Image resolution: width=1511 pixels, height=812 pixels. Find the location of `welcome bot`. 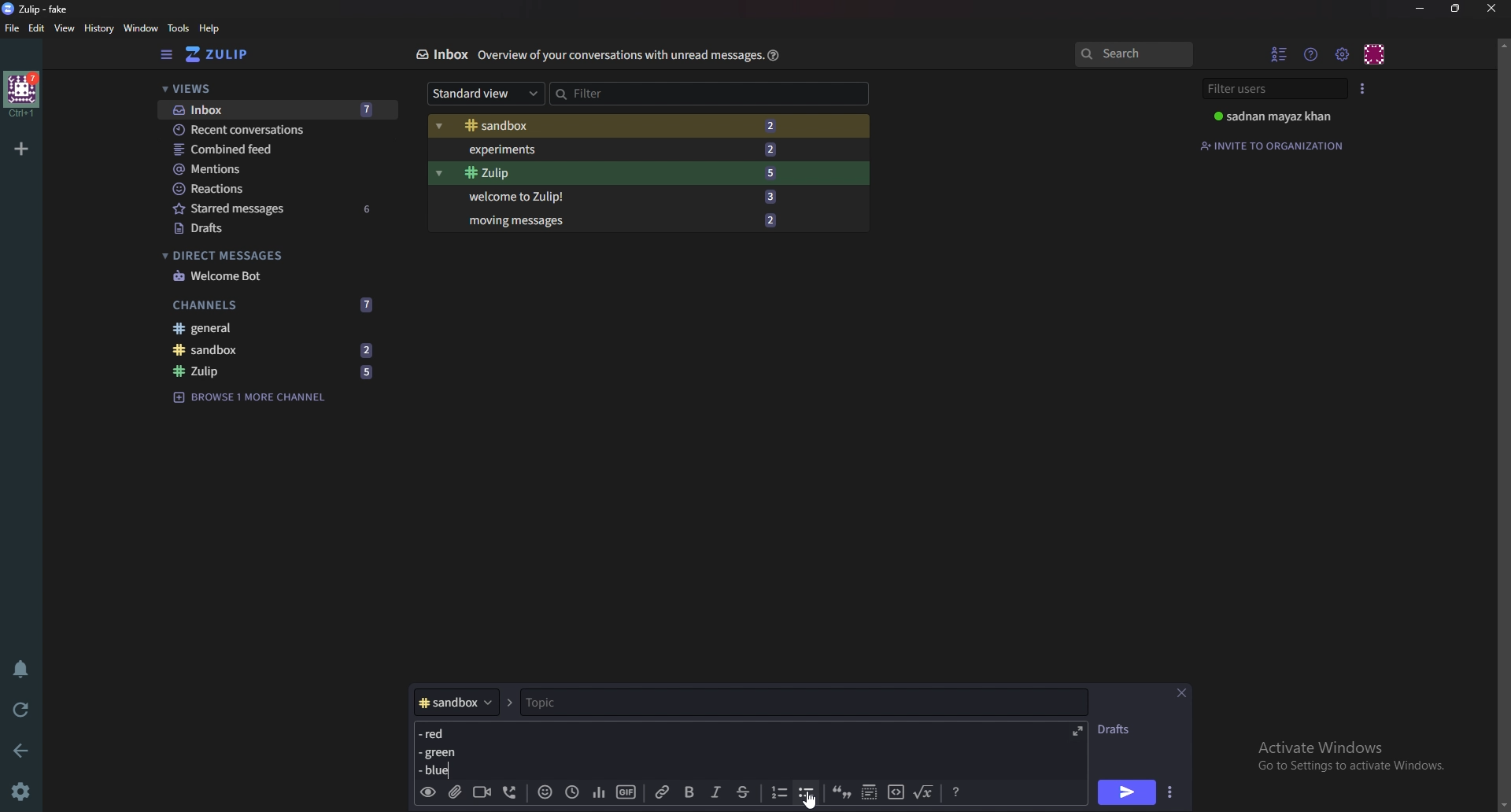

welcome bot is located at coordinates (273, 276).